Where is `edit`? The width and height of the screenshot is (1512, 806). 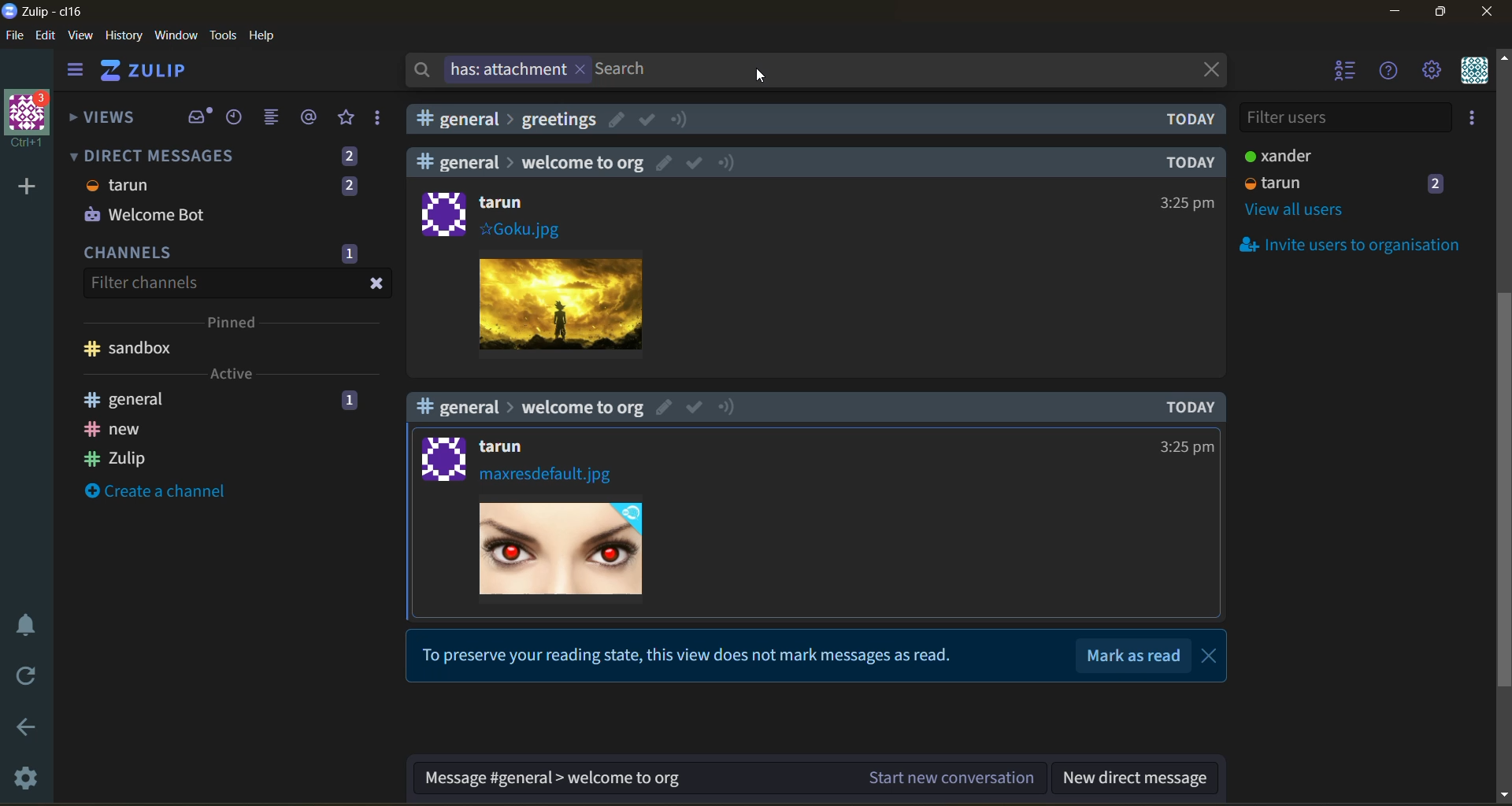 edit is located at coordinates (46, 36).